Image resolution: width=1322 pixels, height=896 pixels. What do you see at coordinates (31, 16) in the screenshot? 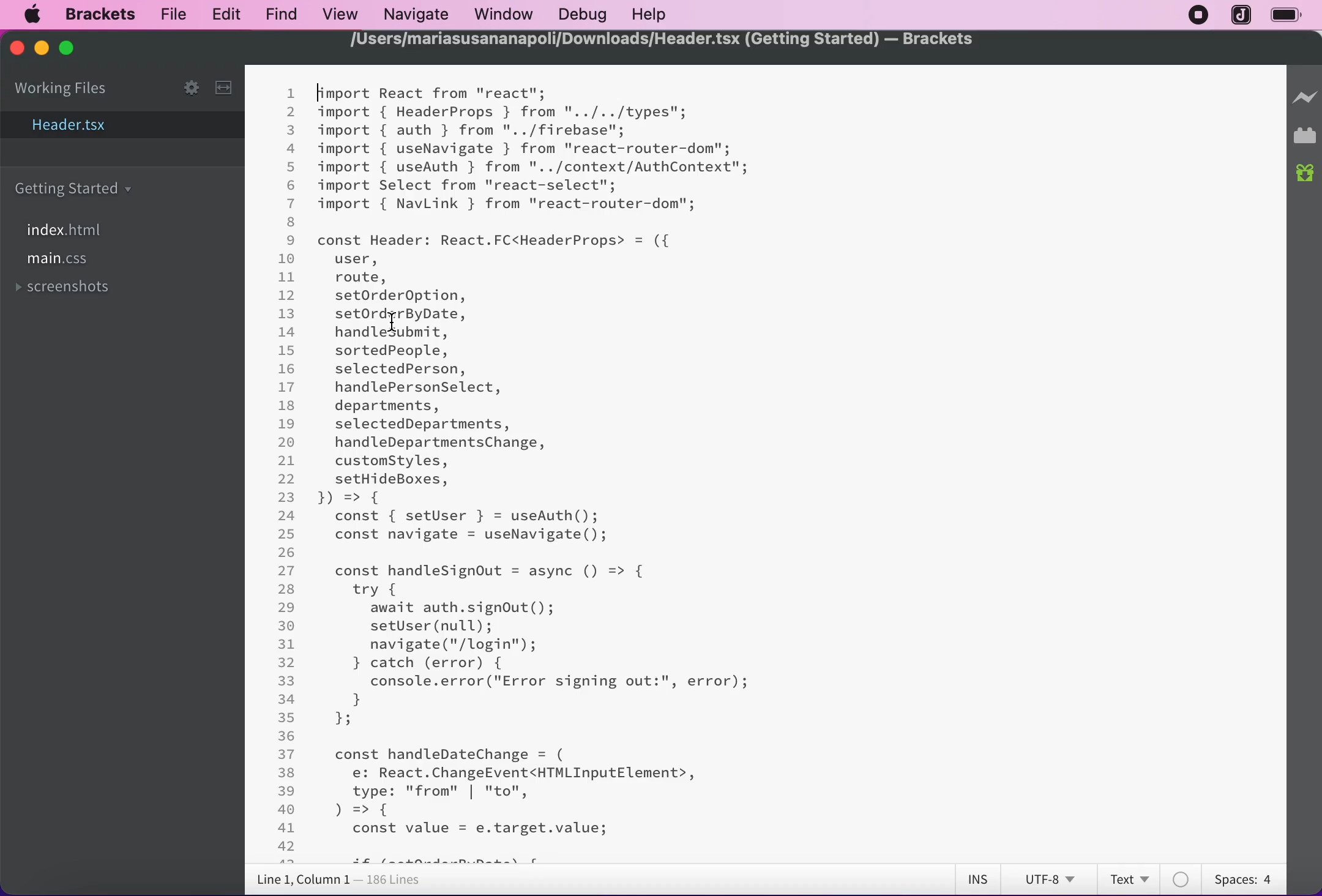
I see `mac logo` at bounding box center [31, 16].